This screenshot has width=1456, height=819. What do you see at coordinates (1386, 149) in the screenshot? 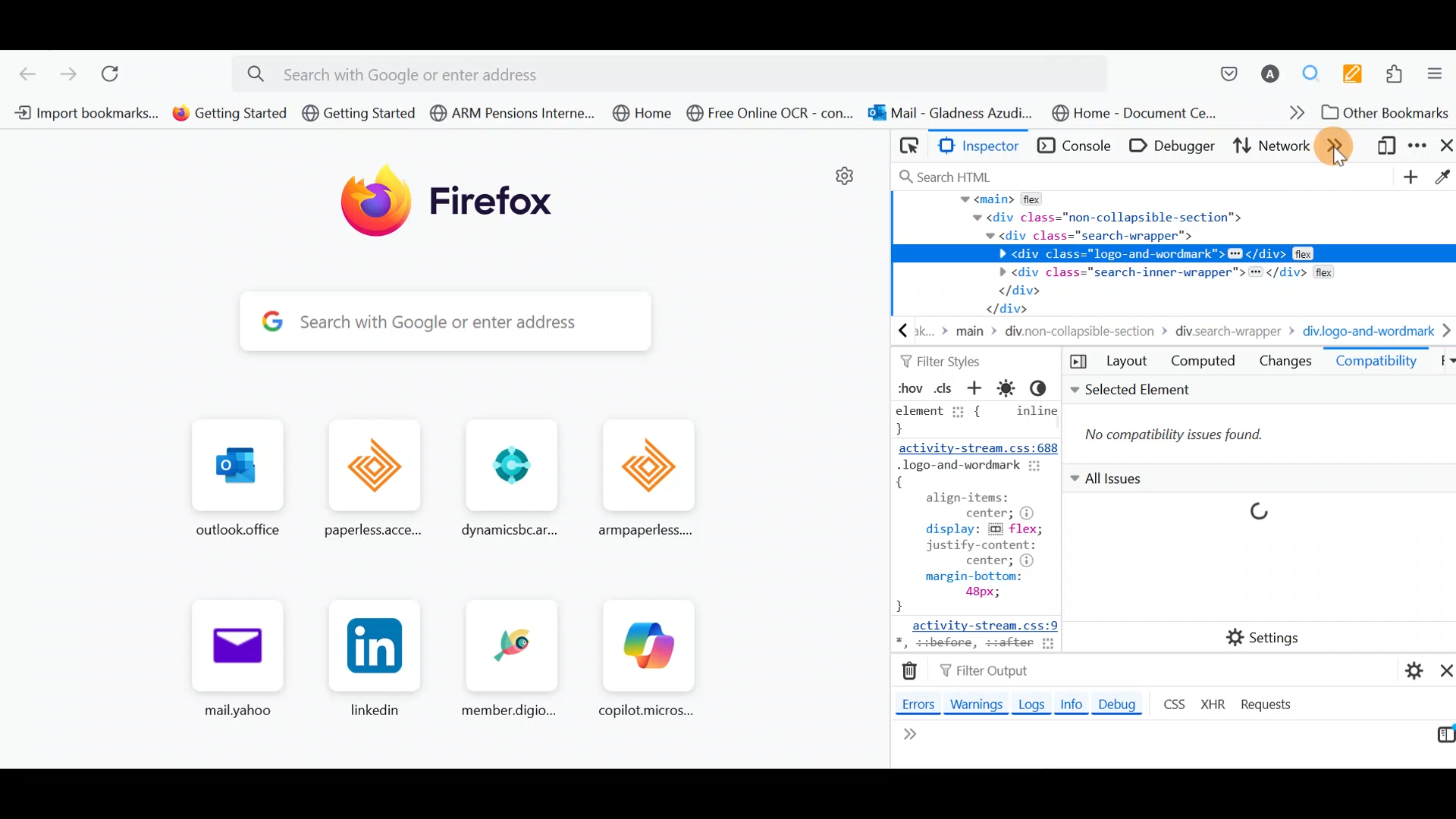
I see `Responsive design mode` at bounding box center [1386, 149].